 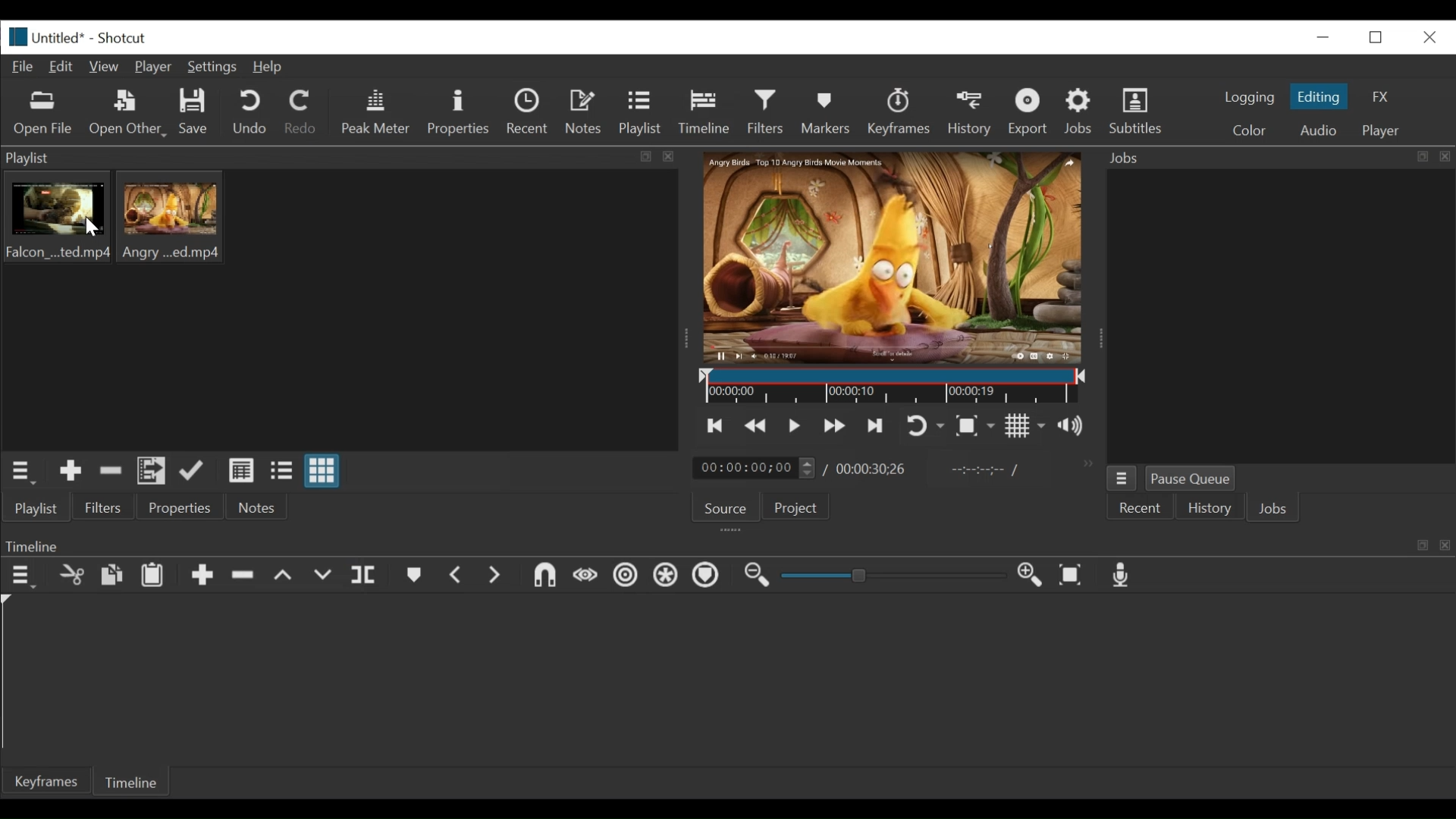 What do you see at coordinates (1269, 156) in the screenshot?
I see `Jobs menu` at bounding box center [1269, 156].